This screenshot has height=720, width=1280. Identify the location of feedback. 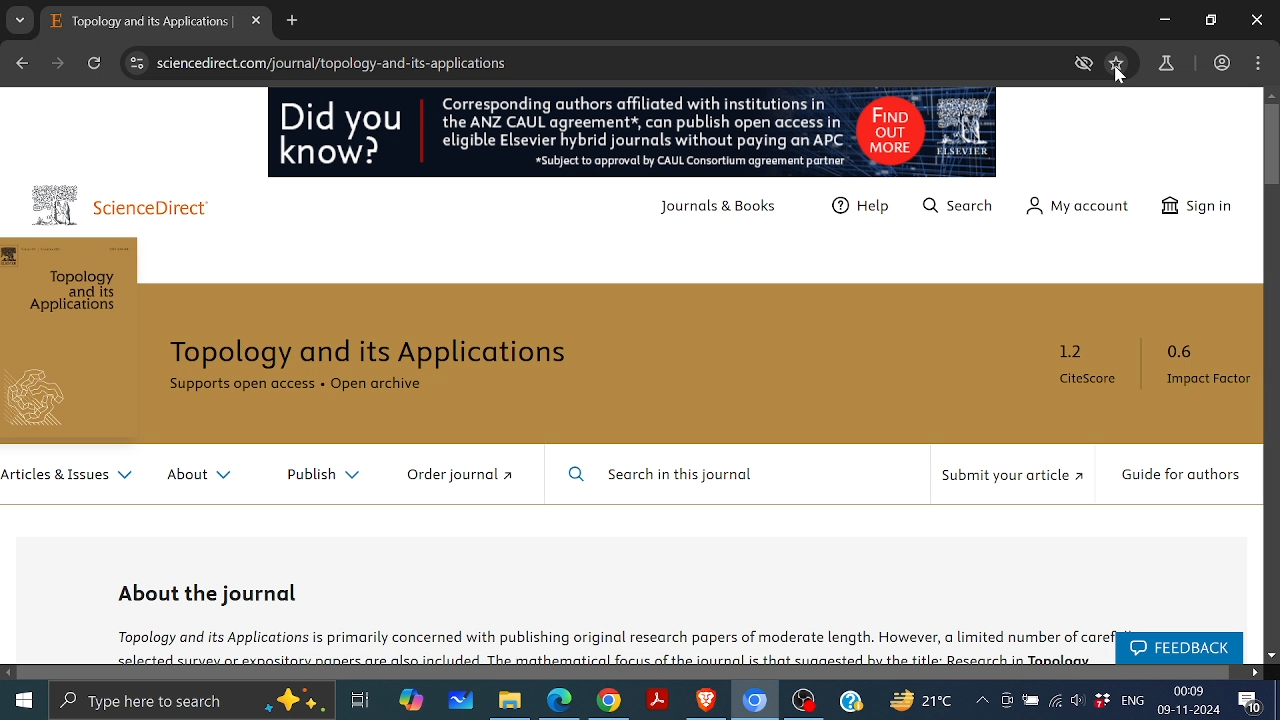
(1177, 649).